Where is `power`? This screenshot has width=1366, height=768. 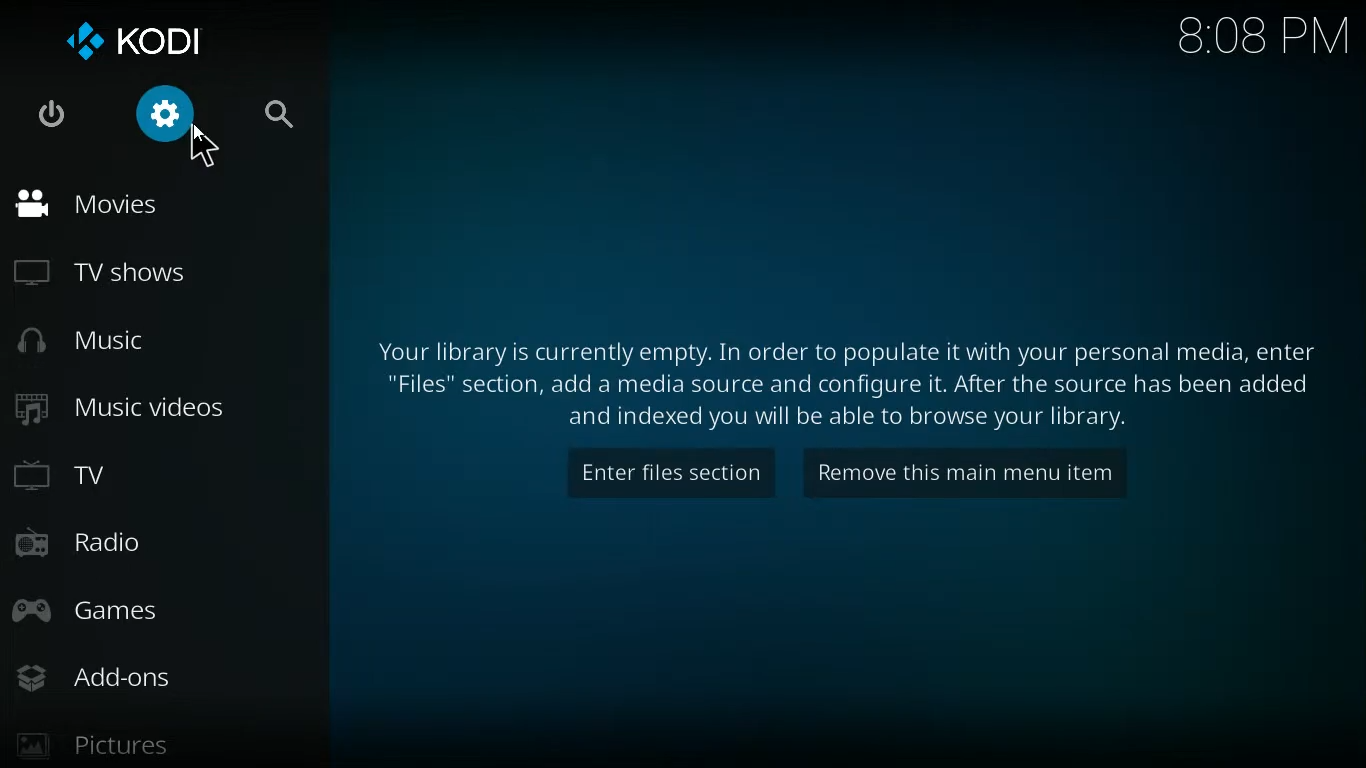 power is located at coordinates (51, 121).